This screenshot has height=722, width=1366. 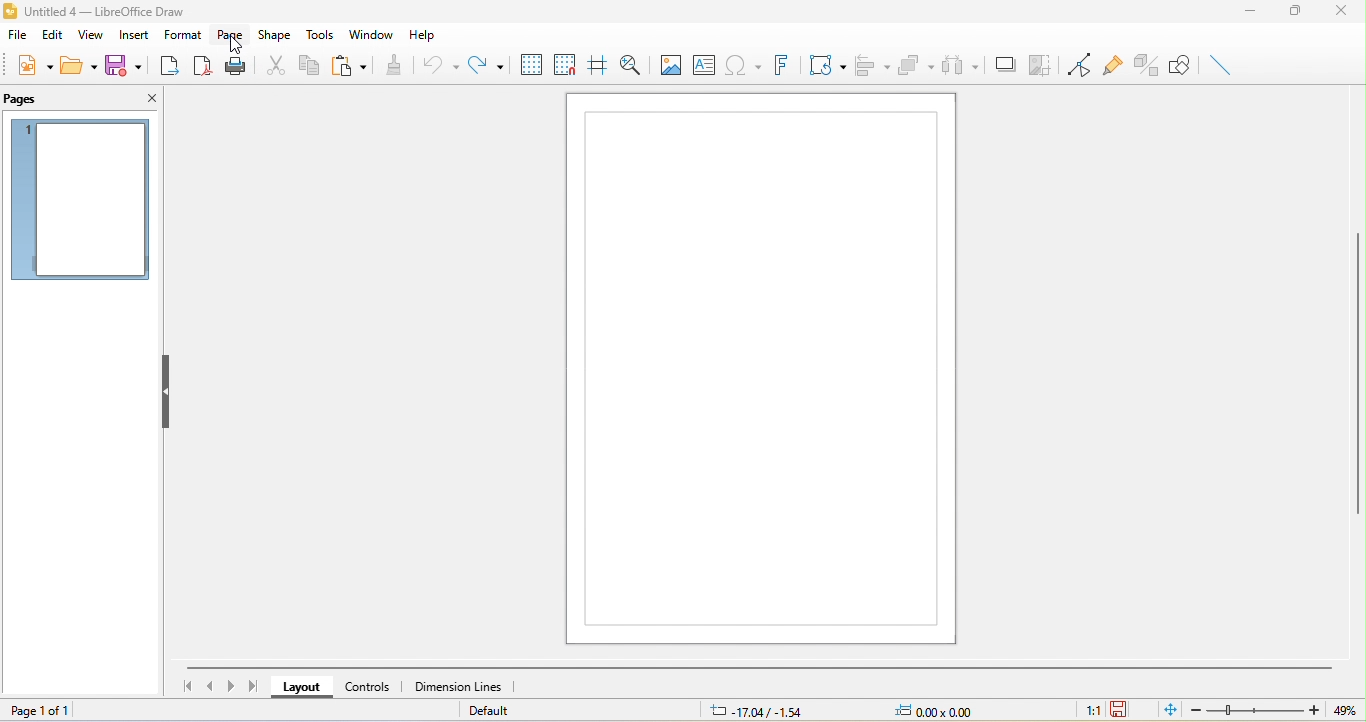 I want to click on next page, so click(x=228, y=688).